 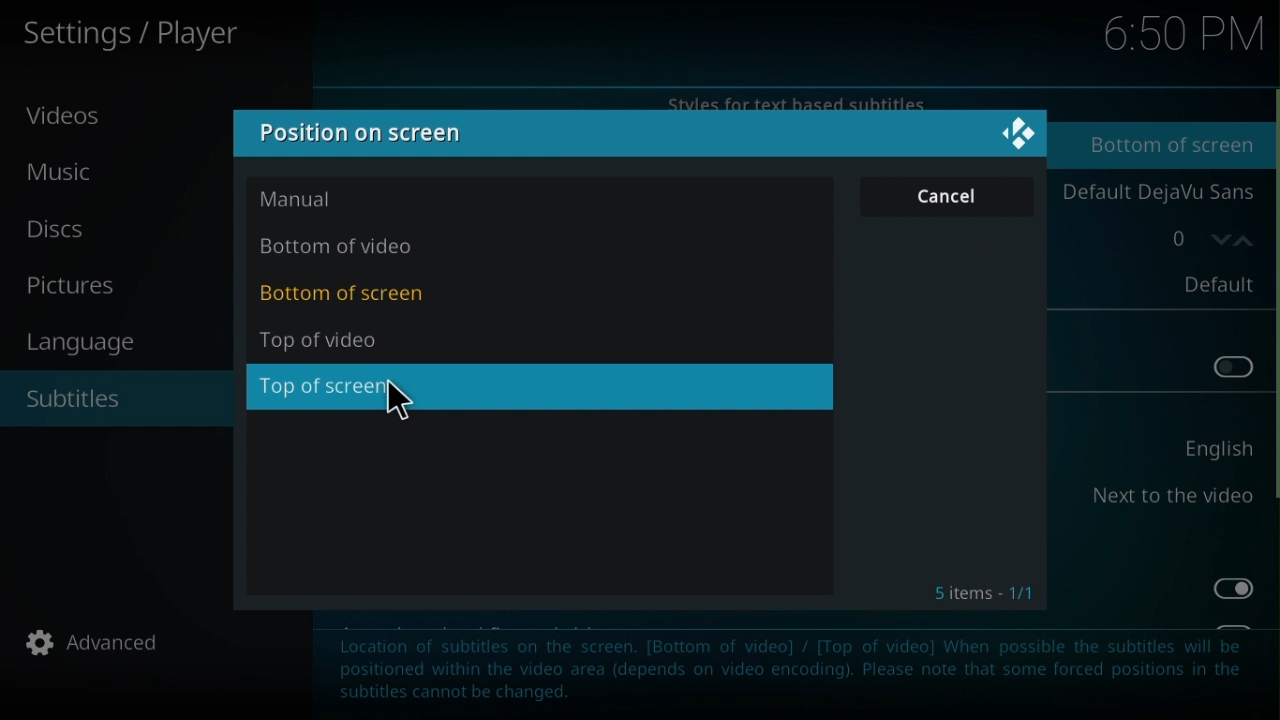 I want to click on Language, so click(x=87, y=345).